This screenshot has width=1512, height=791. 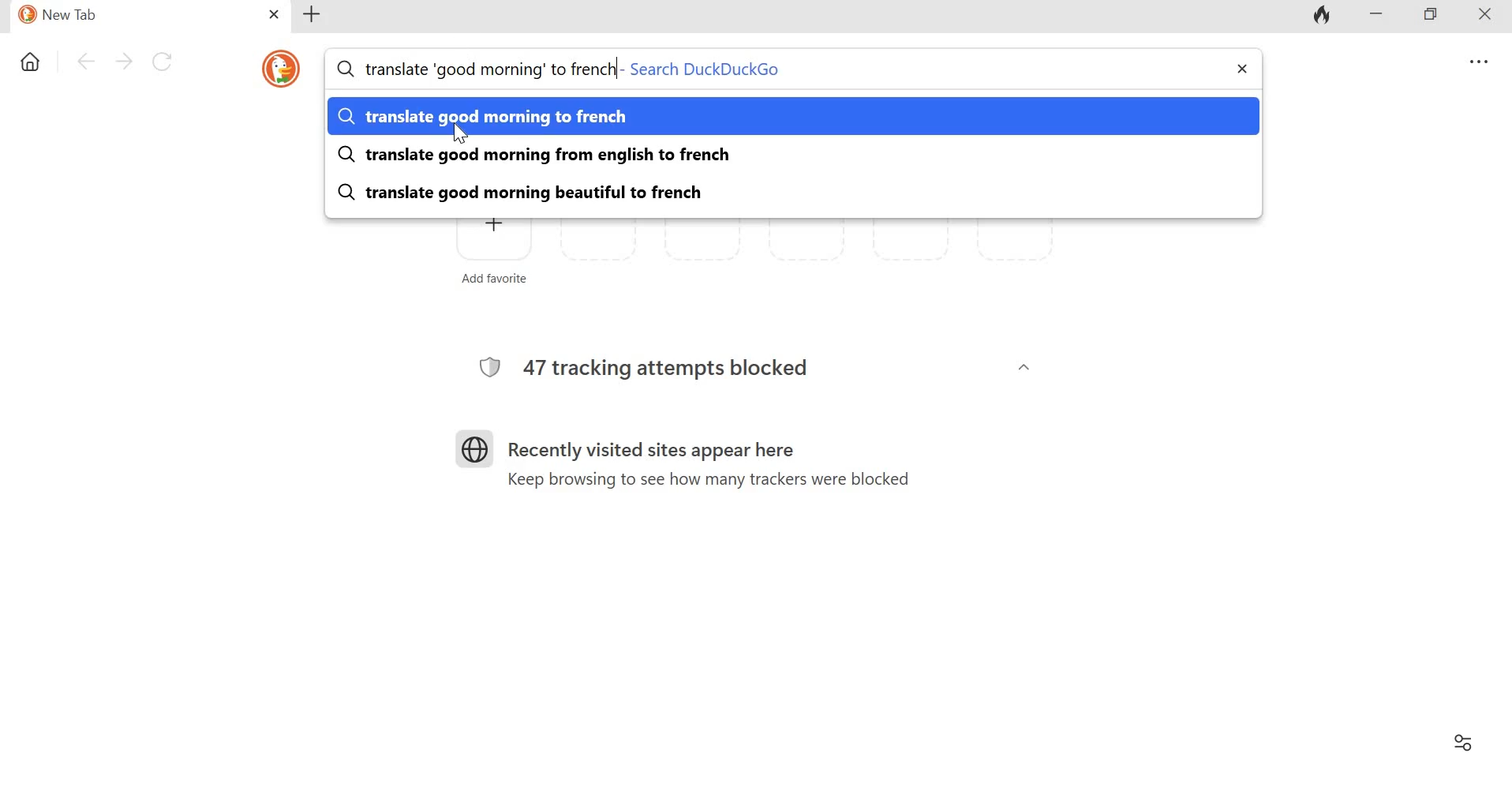 I want to click on 47 tracking attempts blocked, so click(x=672, y=368).